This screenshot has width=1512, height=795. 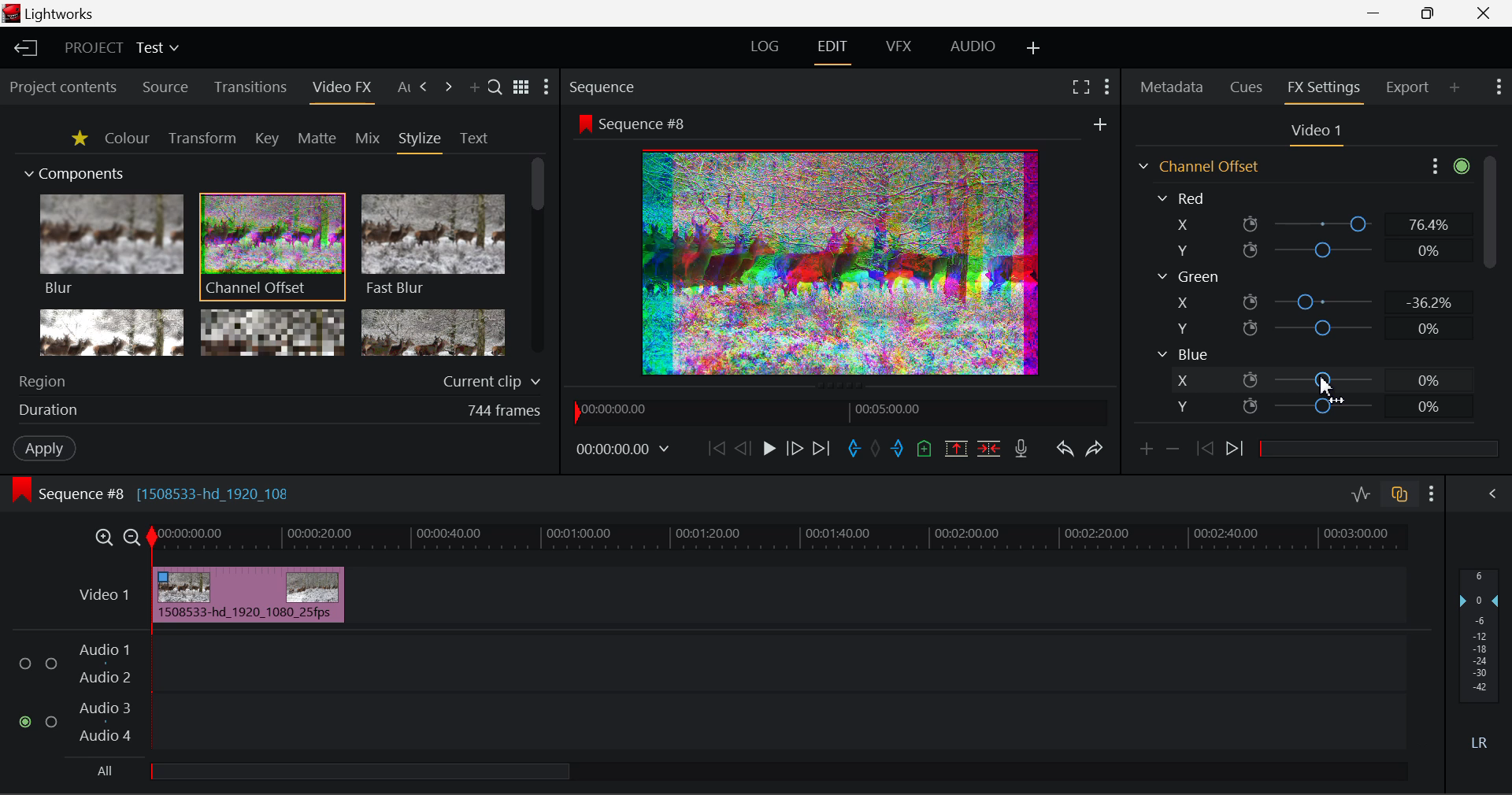 What do you see at coordinates (1498, 87) in the screenshot?
I see `Show Settings` at bounding box center [1498, 87].